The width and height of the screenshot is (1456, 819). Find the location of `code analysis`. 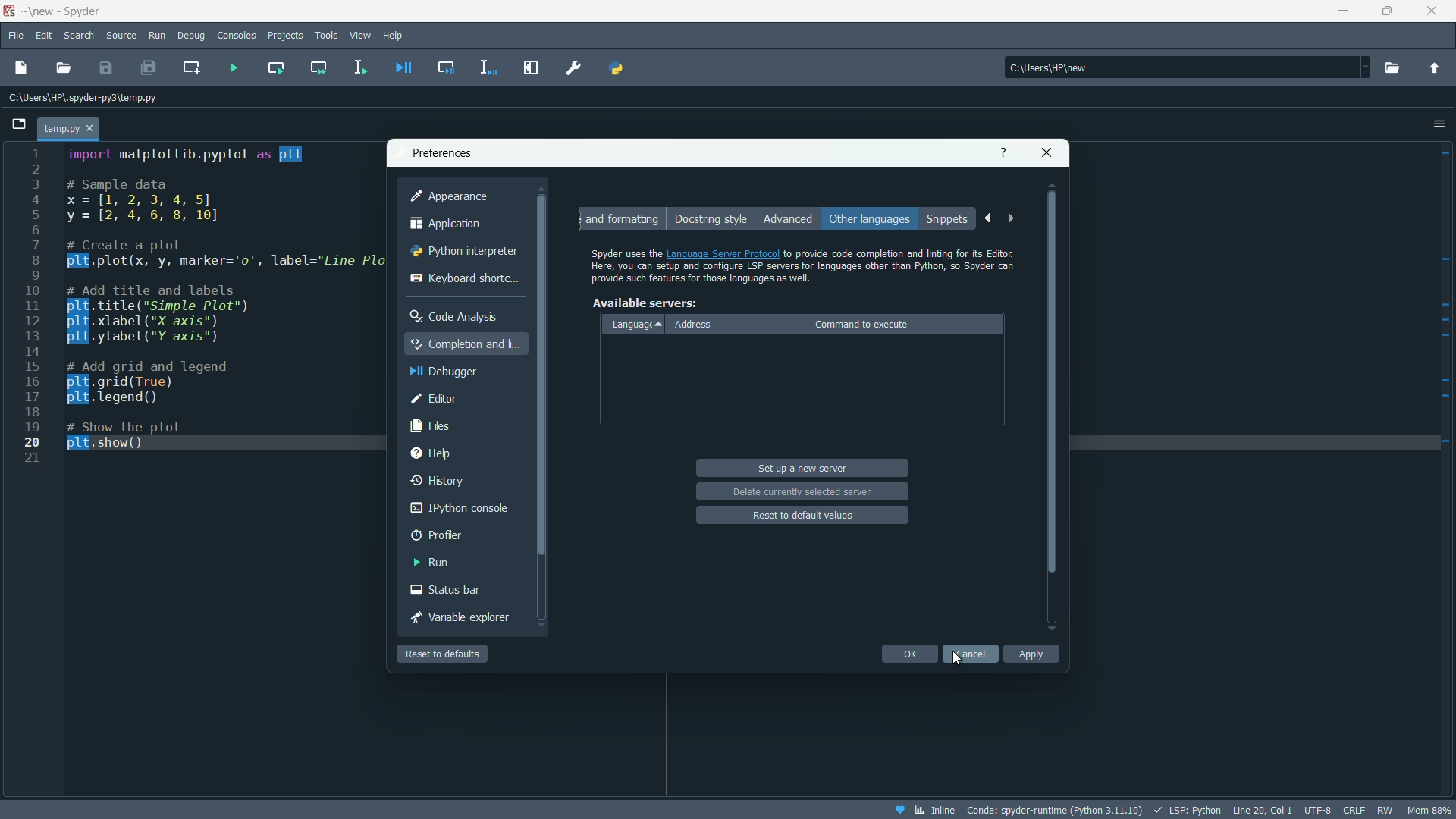

code analysis is located at coordinates (453, 316).